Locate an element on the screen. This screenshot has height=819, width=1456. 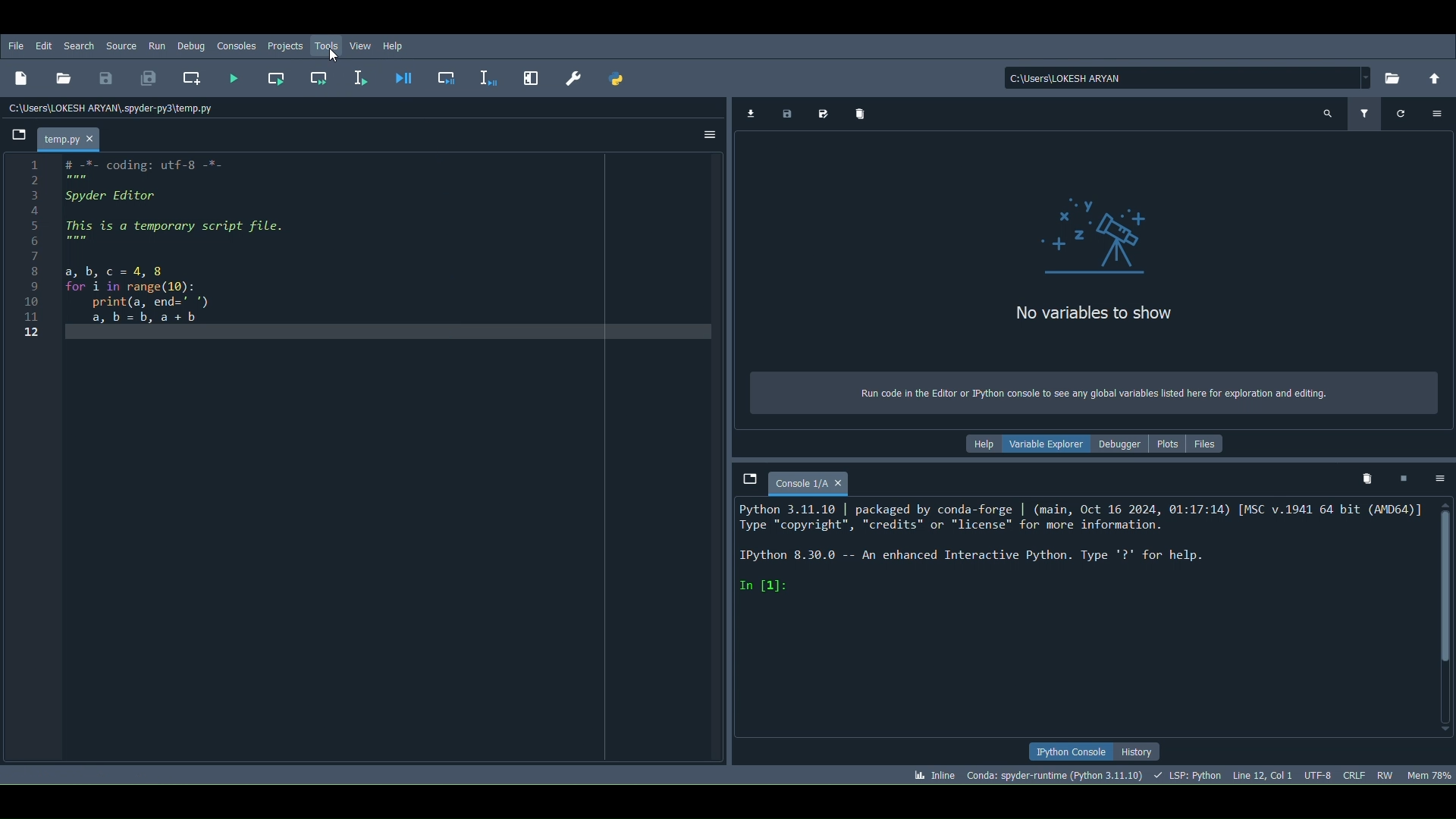
History is located at coordinates (1139, 752).